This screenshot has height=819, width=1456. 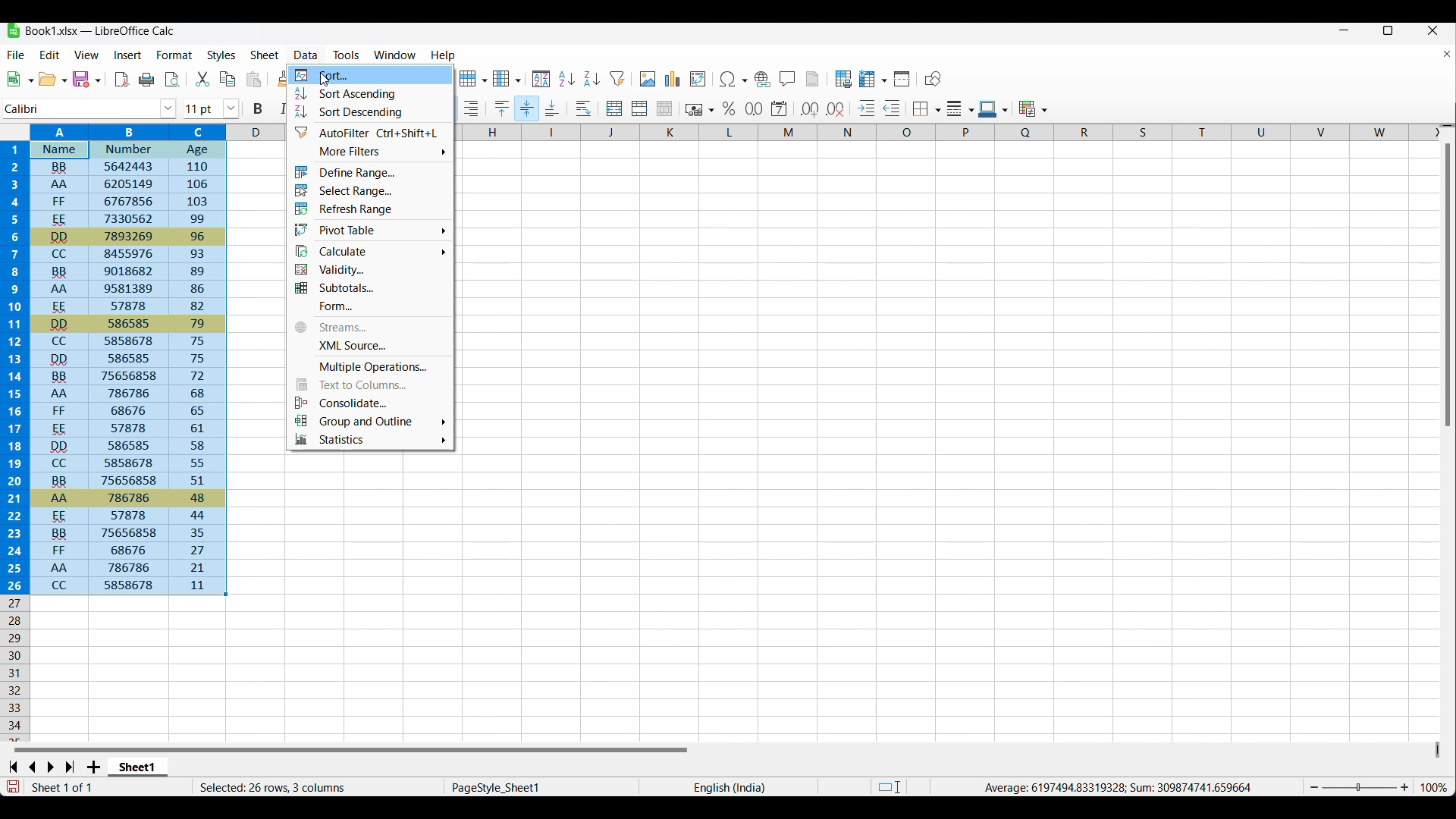 I want to click on Help menu, so click(x=444, y=56).